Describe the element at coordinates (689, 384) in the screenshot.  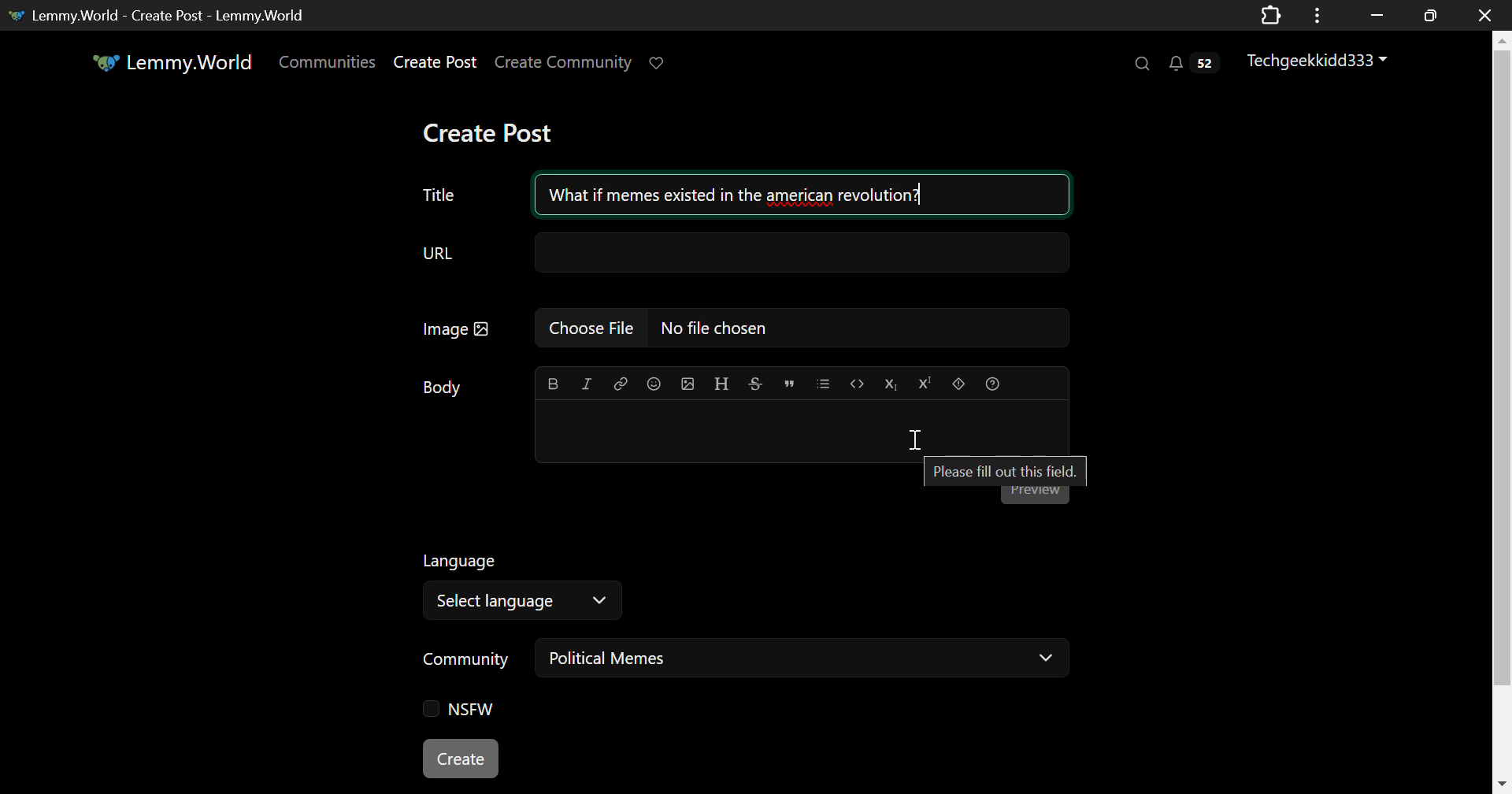
I see `Insert Image` at that location.